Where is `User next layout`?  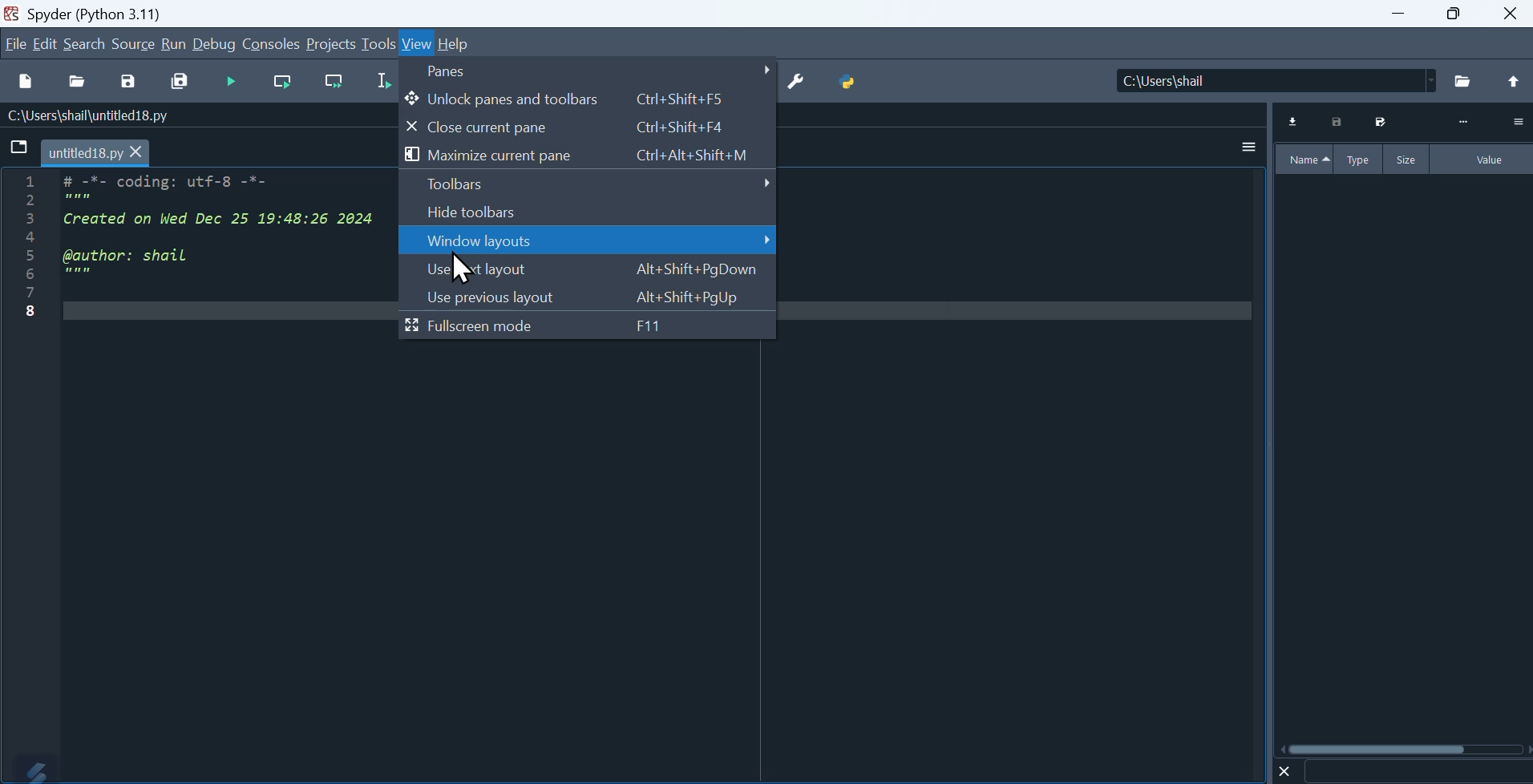
User next layout is located at coordinates (588, 270).